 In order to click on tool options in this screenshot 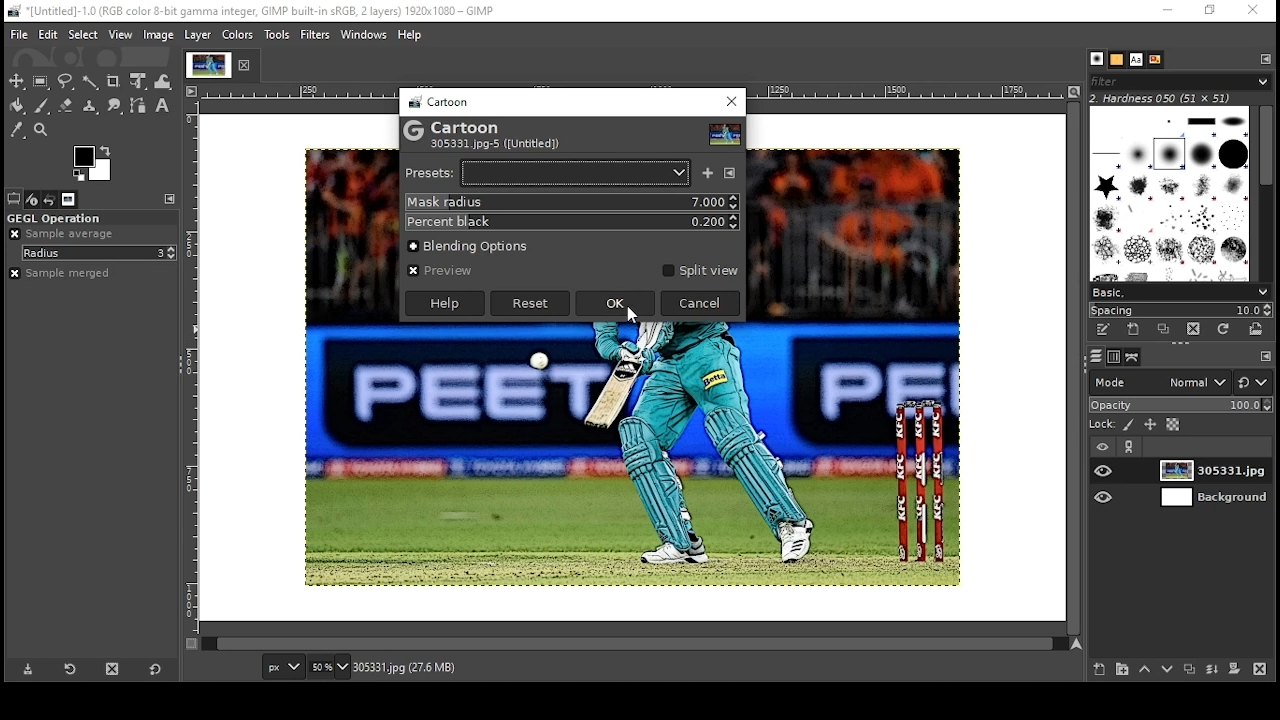, I will do `click(14, 198)`.